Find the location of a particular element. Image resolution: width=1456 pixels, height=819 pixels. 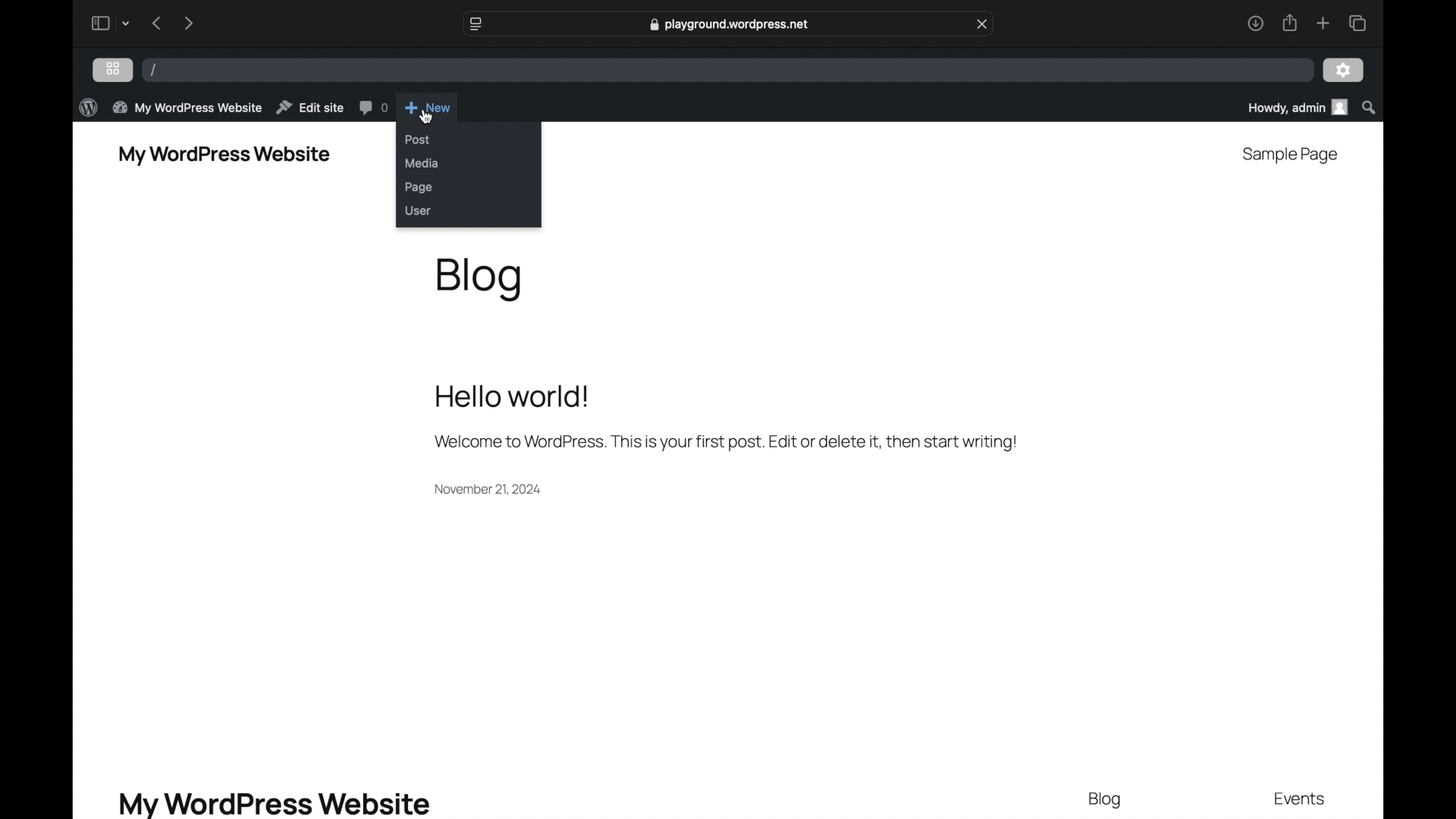

edit site is located at coordinates (310, 107).